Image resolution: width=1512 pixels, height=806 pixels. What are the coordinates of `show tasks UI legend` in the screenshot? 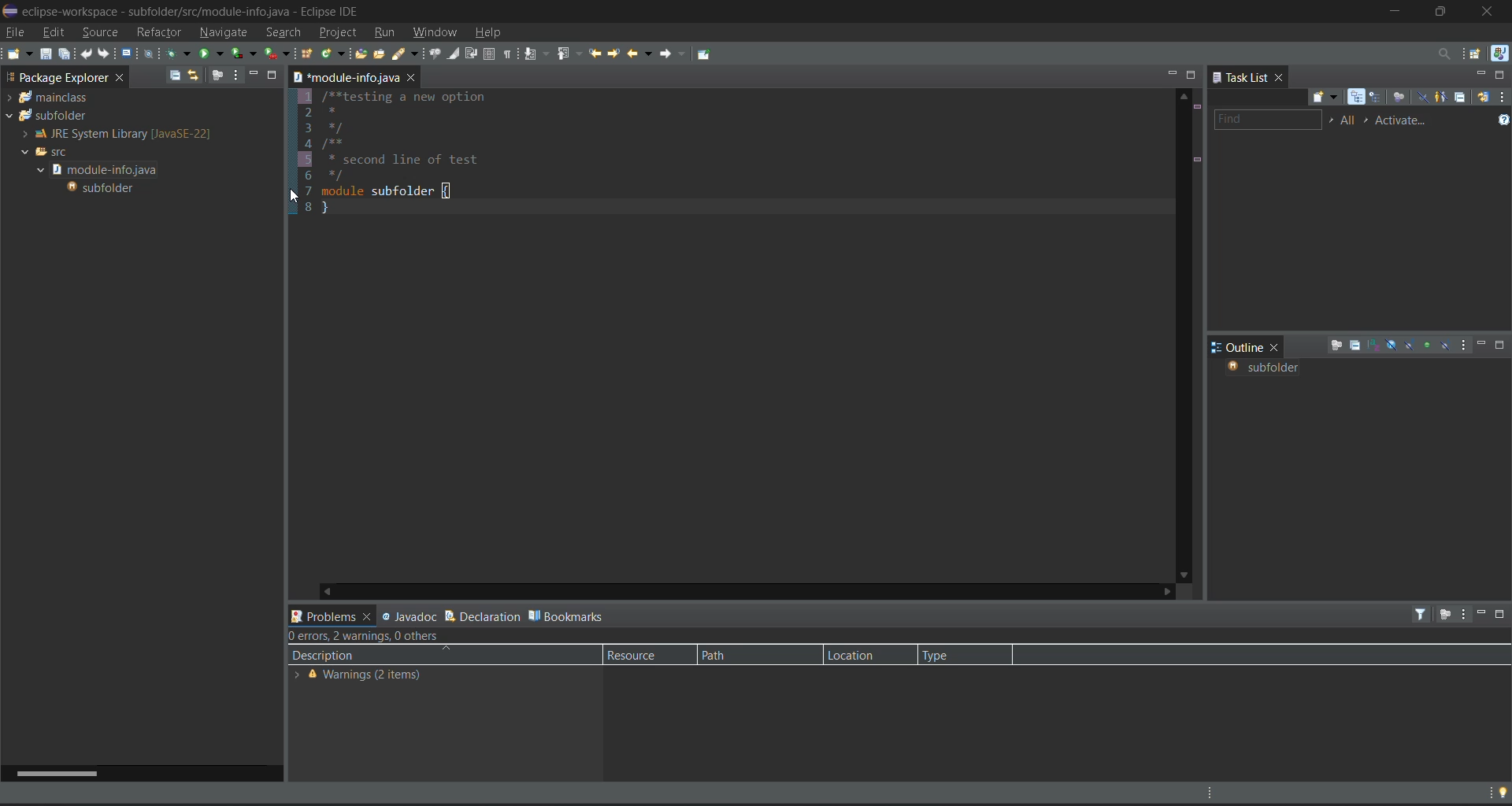 It's located at (1503, 122).